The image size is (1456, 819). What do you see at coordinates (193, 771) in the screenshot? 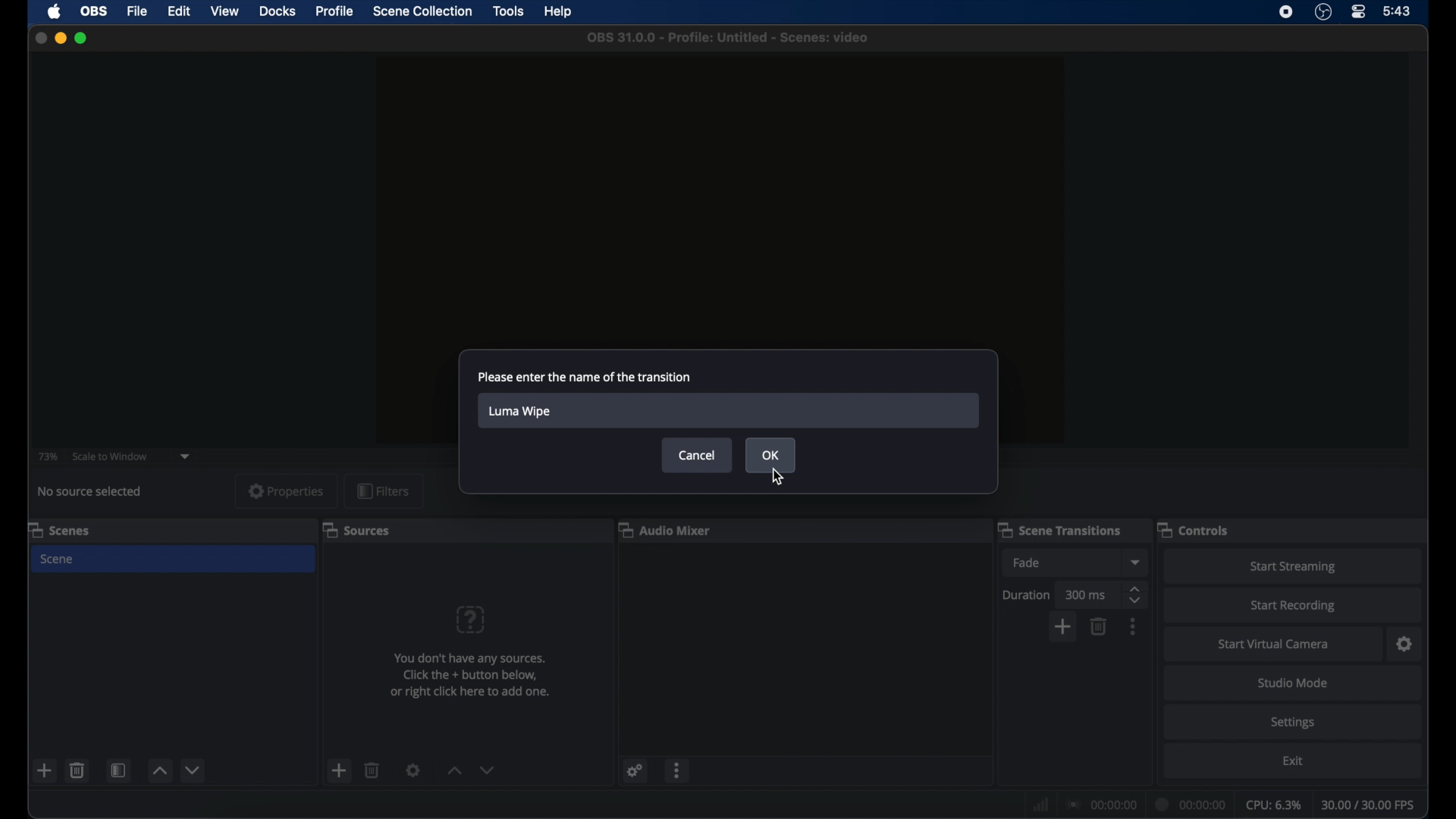
I see `decrement` at bounding box center [193, 771].